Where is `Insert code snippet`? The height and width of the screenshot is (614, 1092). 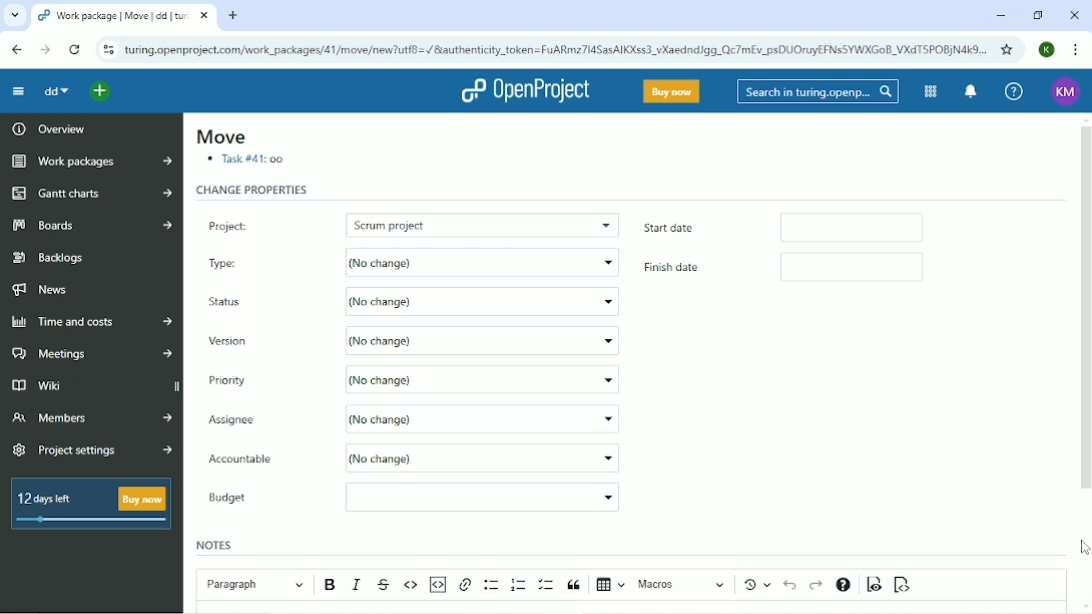 Insert code snippet is located at coordinates (437, 584).